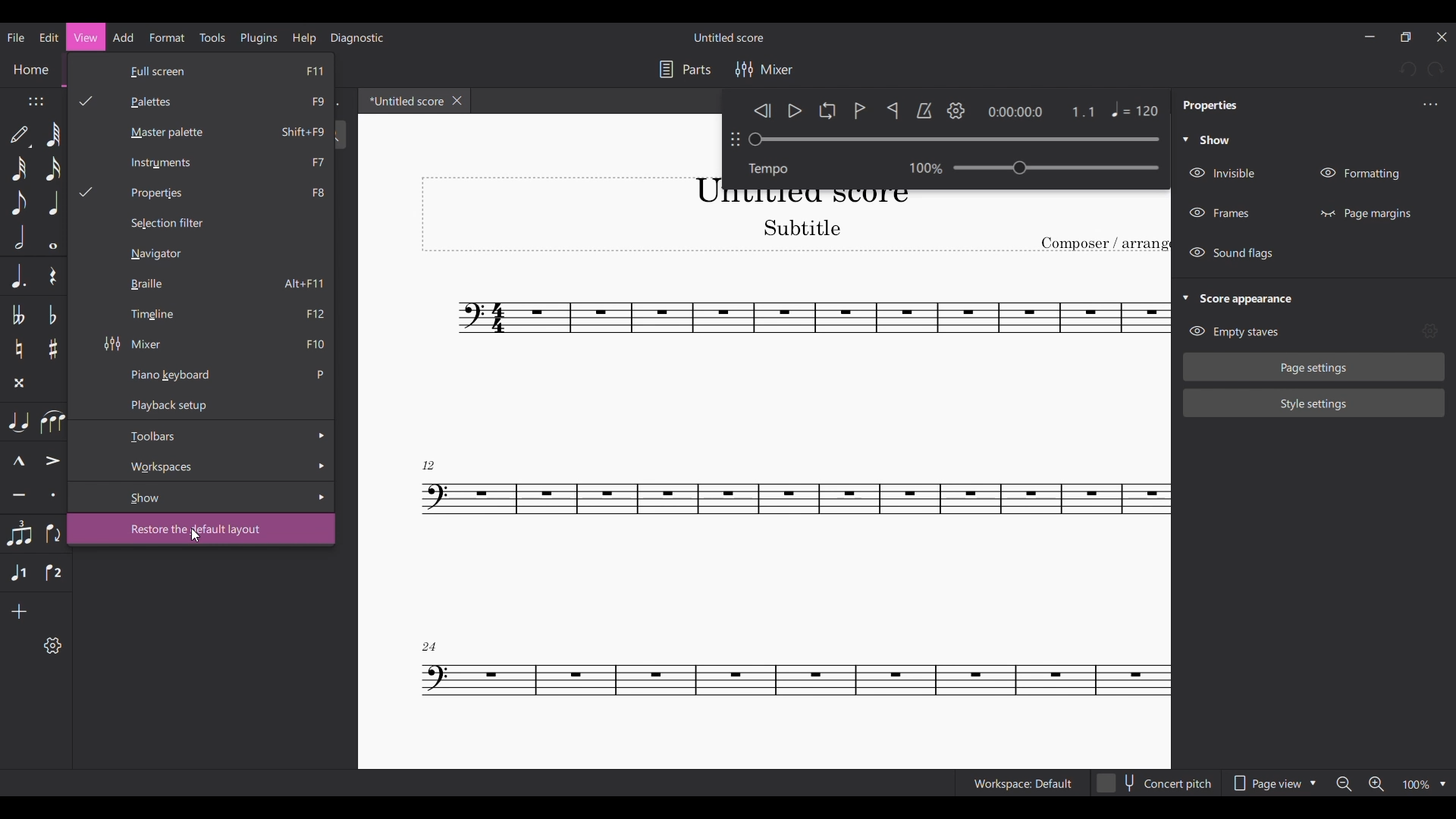 This screenshot has height=819, width=1456. I want to click on Flip direction, so click(52, 534).